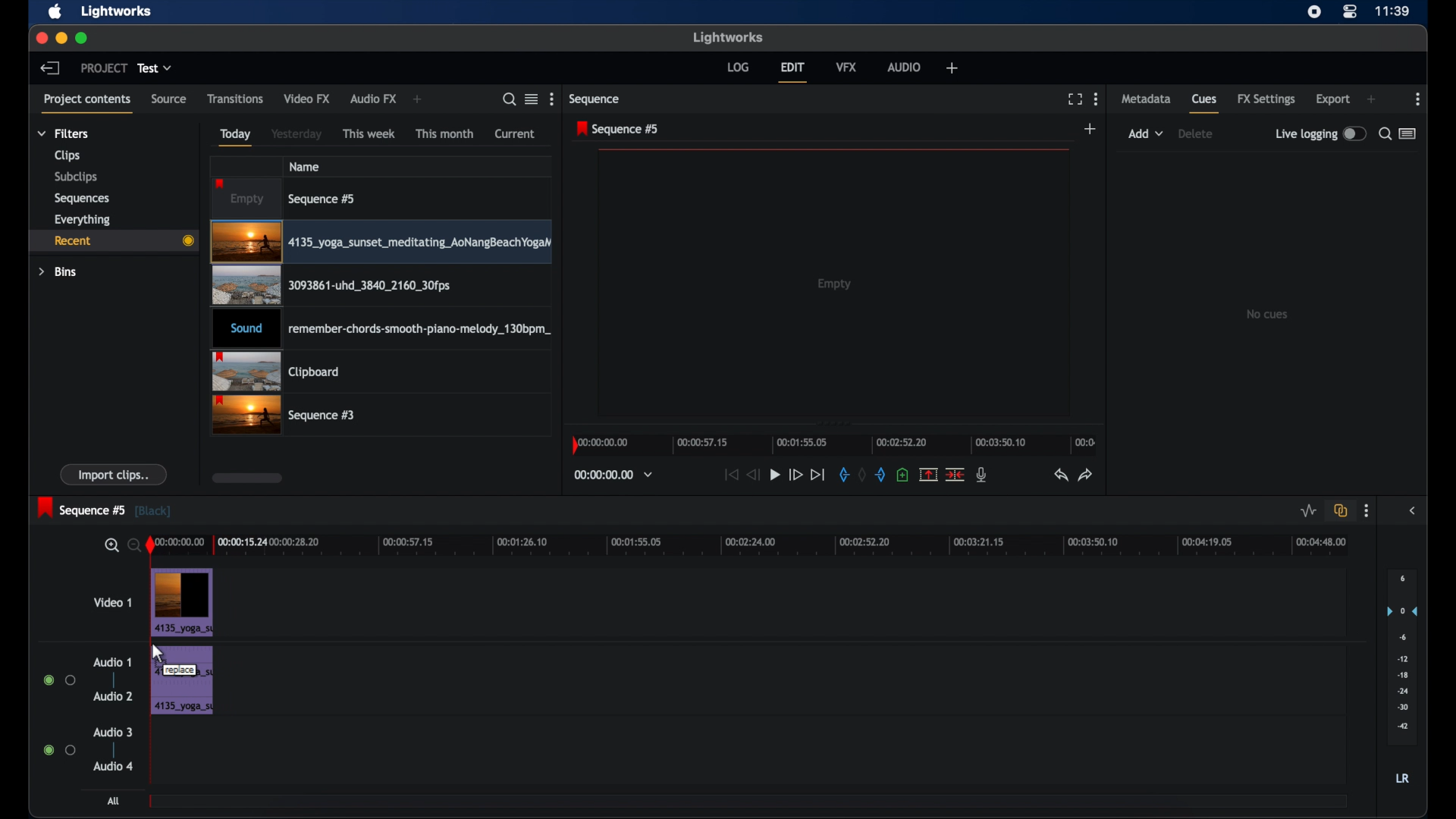 Image resolution: width=1456 pixels, height=819 pixels. Describe the element at coordinates (83, 220) in the screenshot. I see `everything` at that location.